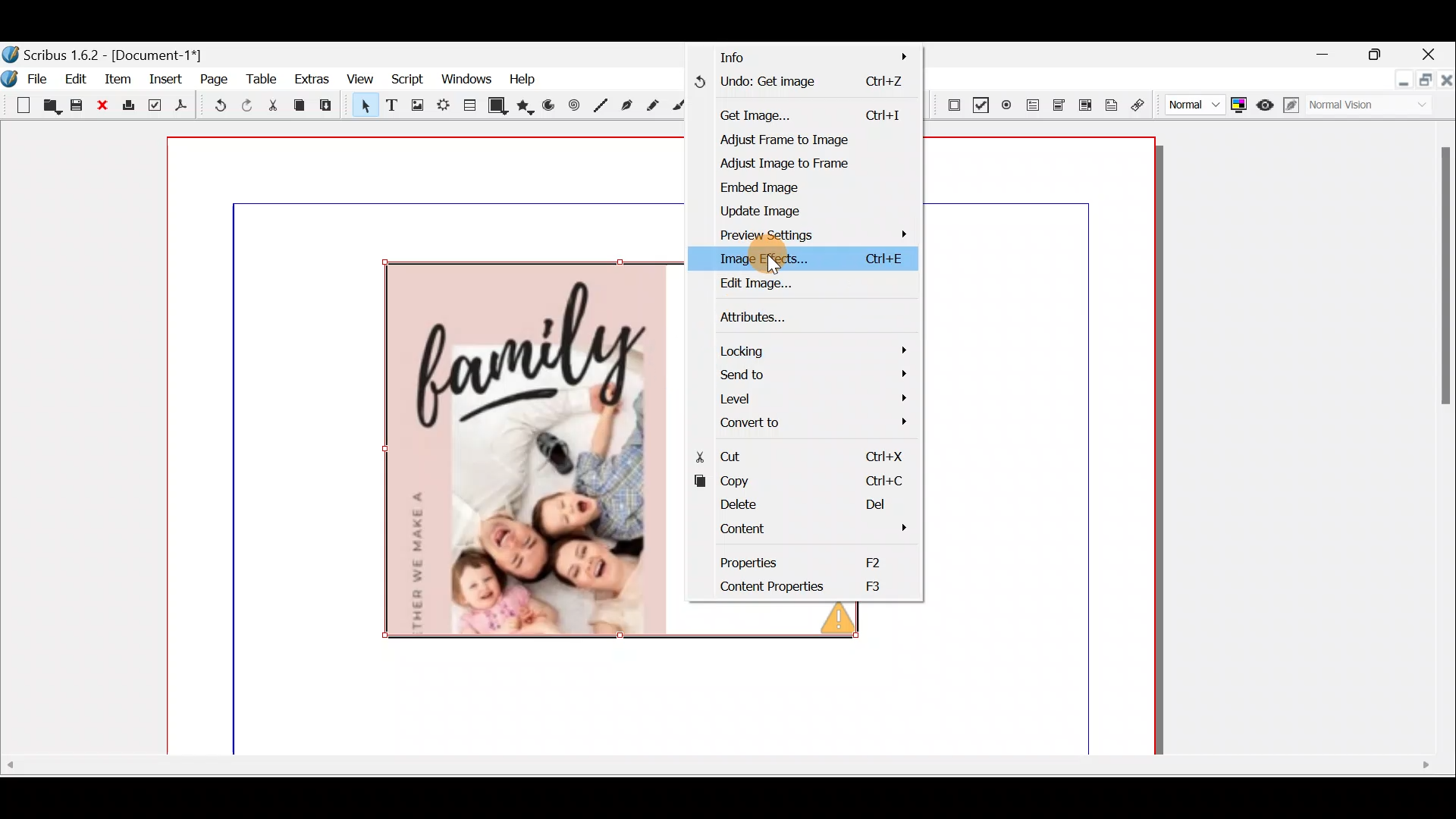 The height and width of the screenshot is (819, 1456). What do you see at coordinates (467, 103) in the screenshot?
I see `Table` at bounding box center [467, 103].